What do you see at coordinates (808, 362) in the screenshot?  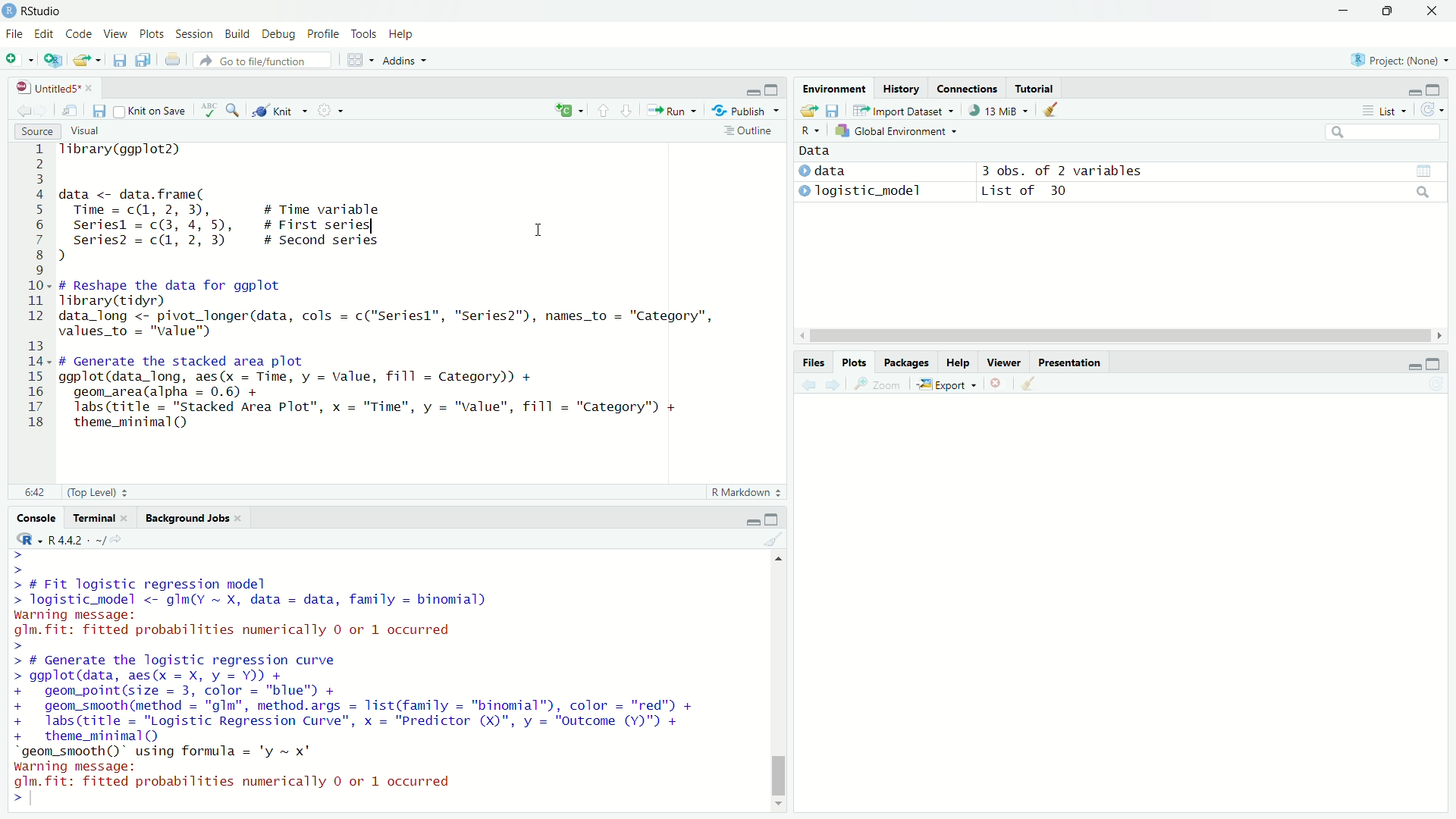 I see `Files` at bounding box center [808, 362].